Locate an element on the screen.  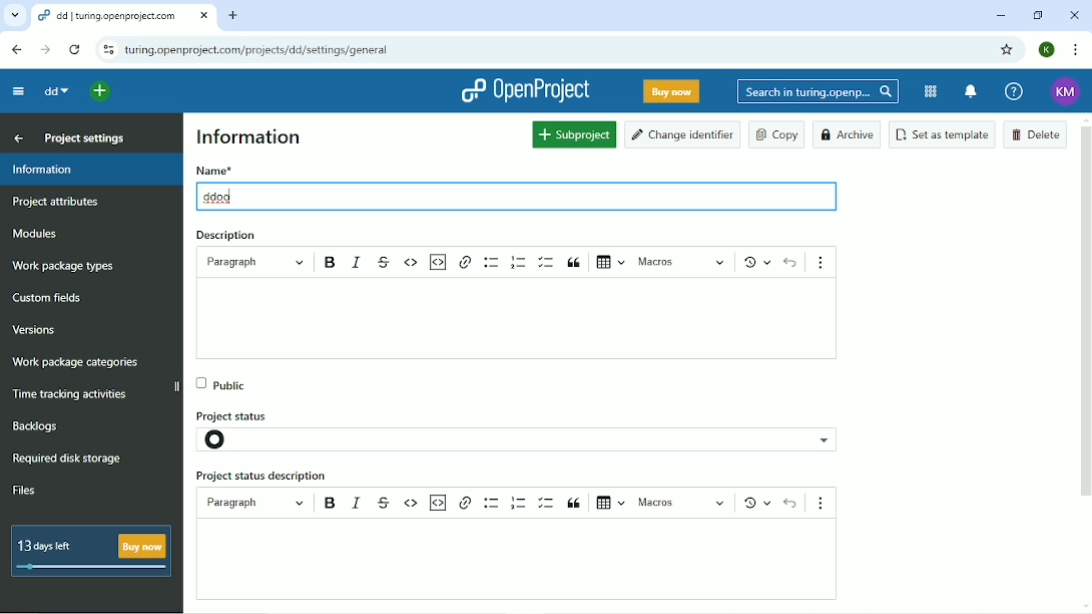
Block quote is located at coordinates (575, 263).